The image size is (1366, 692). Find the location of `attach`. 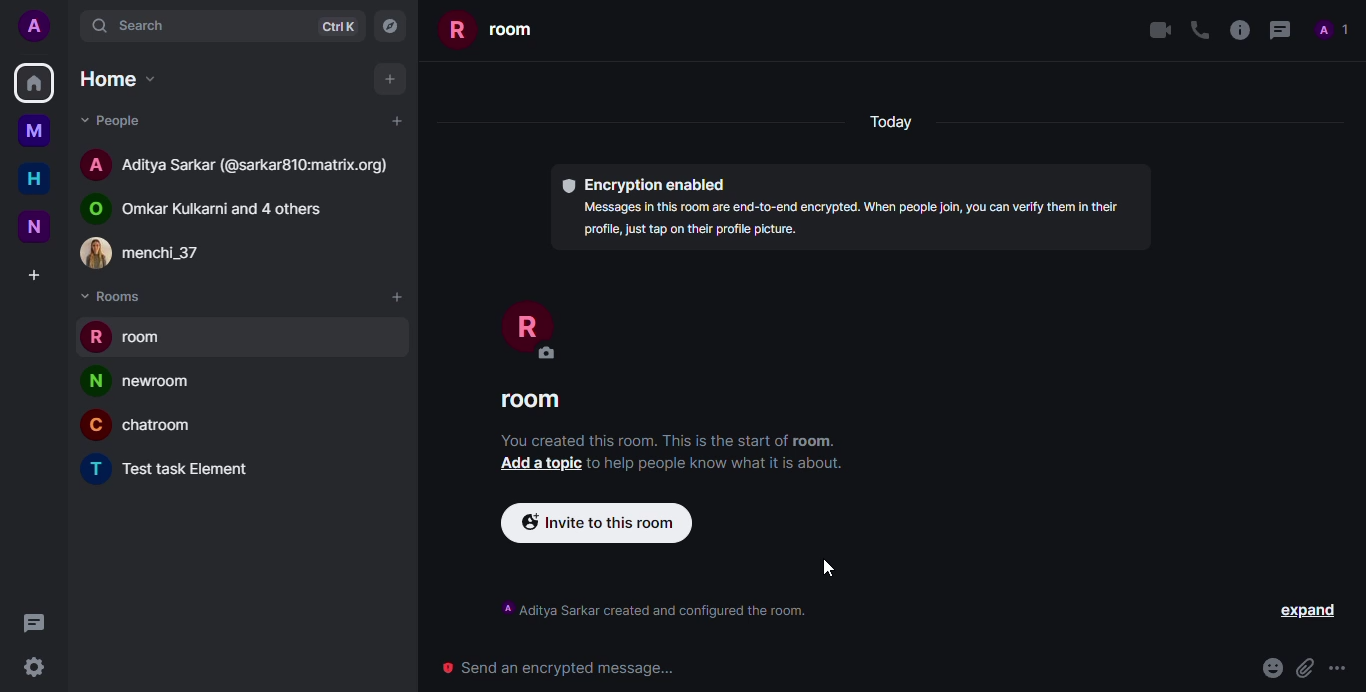

attach is located at coordinates (1305, 668).